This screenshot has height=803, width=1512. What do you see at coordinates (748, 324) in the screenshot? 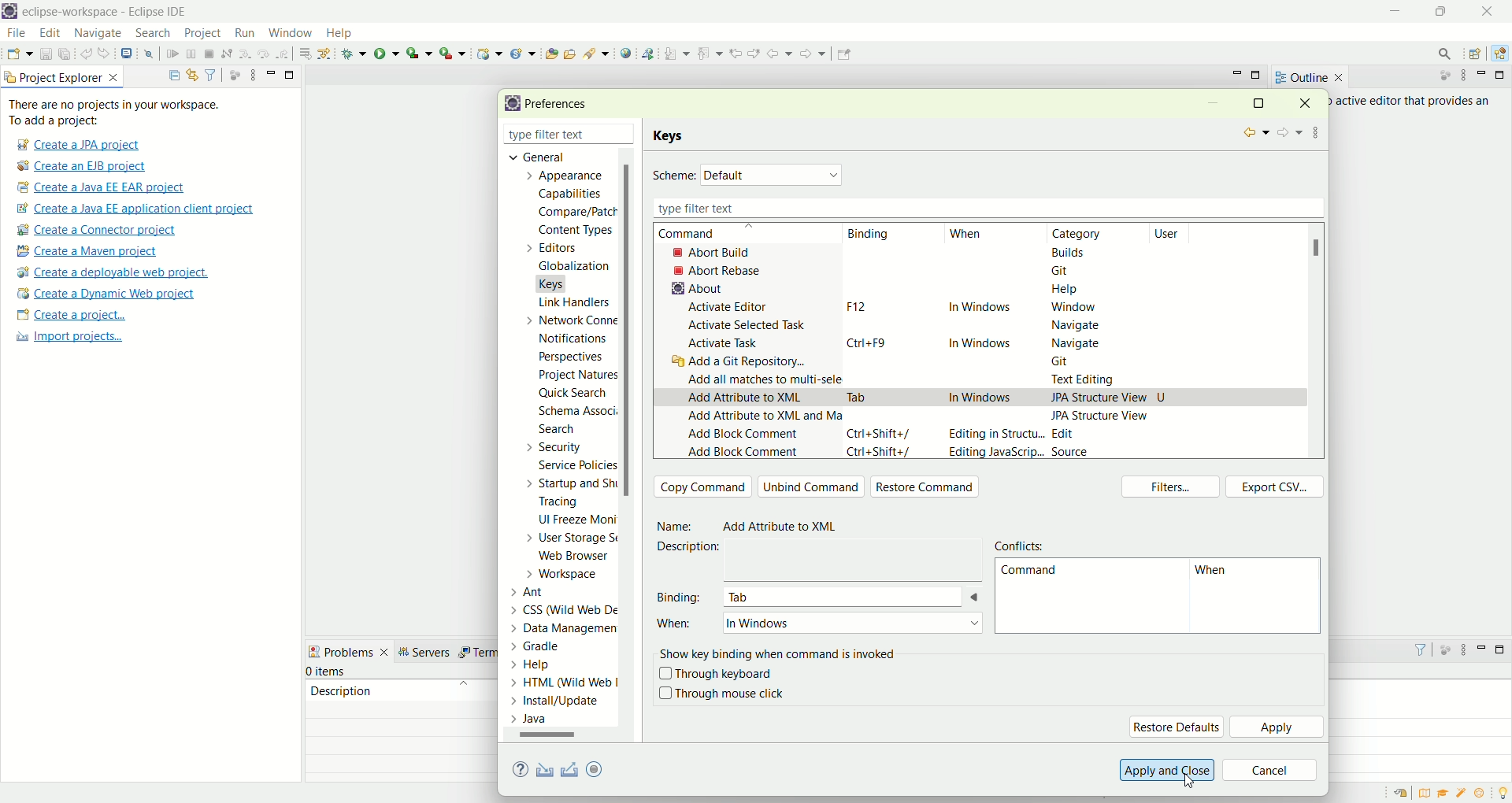
I see `activate selected task` at bounding box center [748, 324].